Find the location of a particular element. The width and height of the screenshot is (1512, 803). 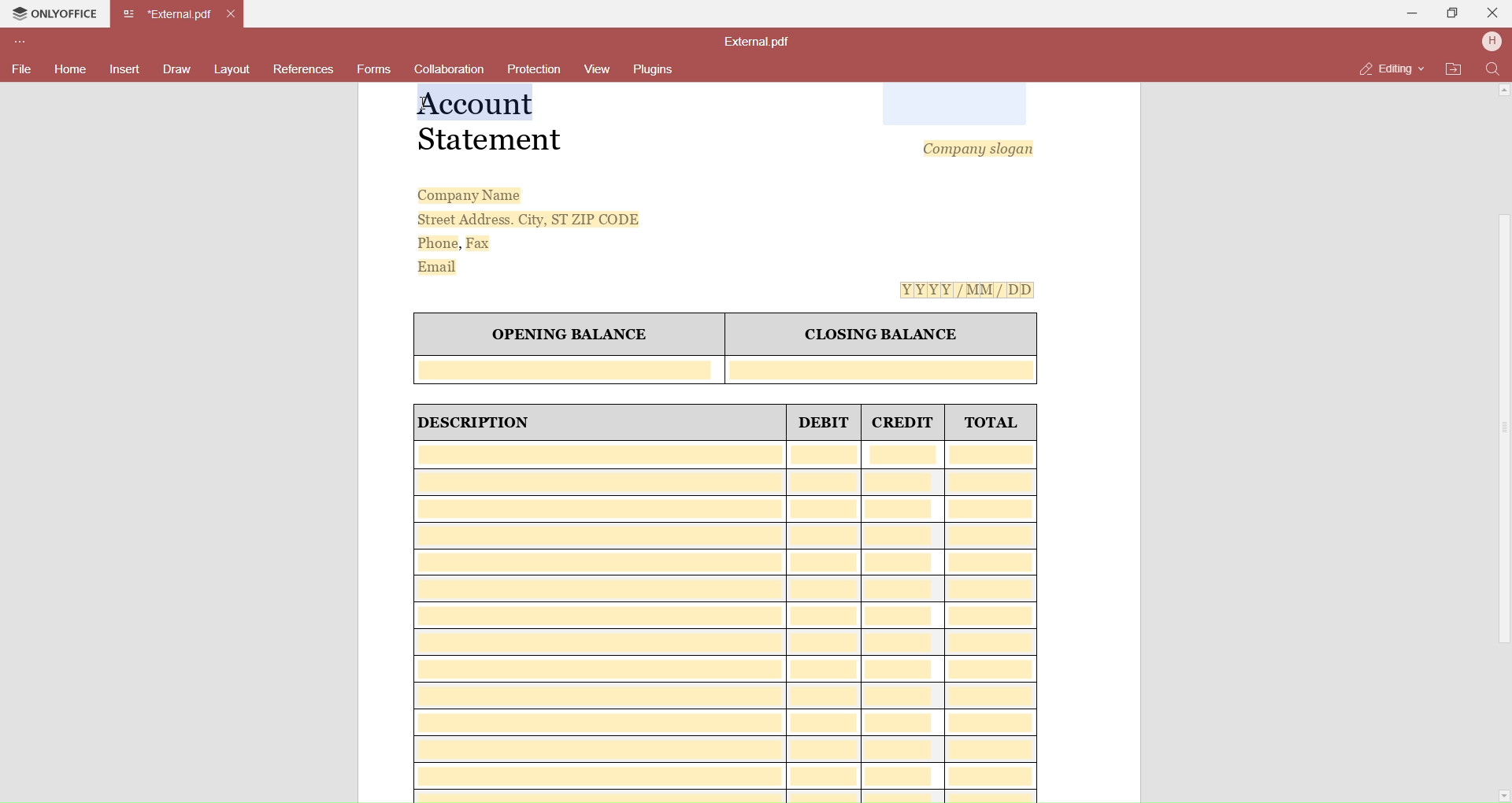

Close is located at coordinates (1493, 12).